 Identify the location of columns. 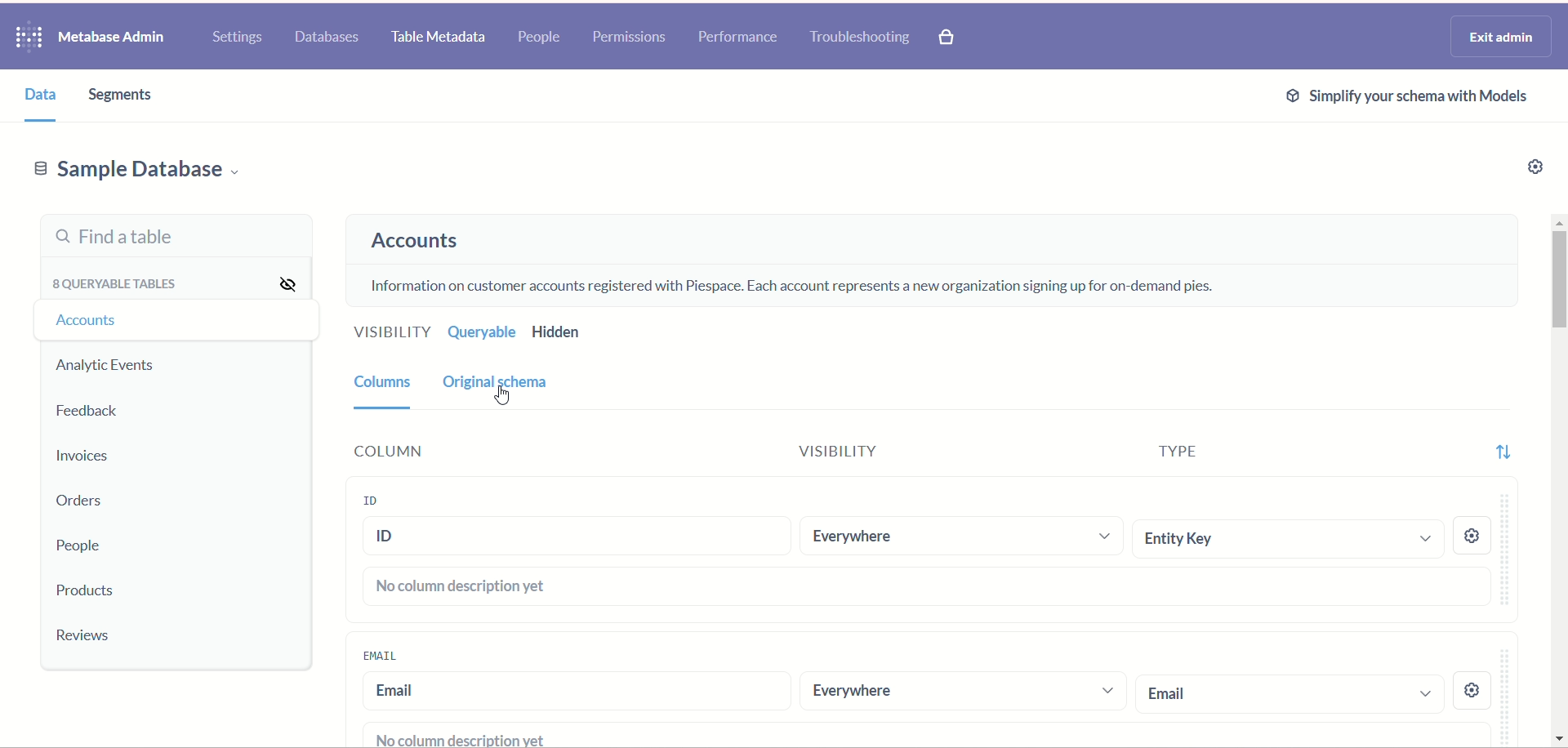
(376, 387).